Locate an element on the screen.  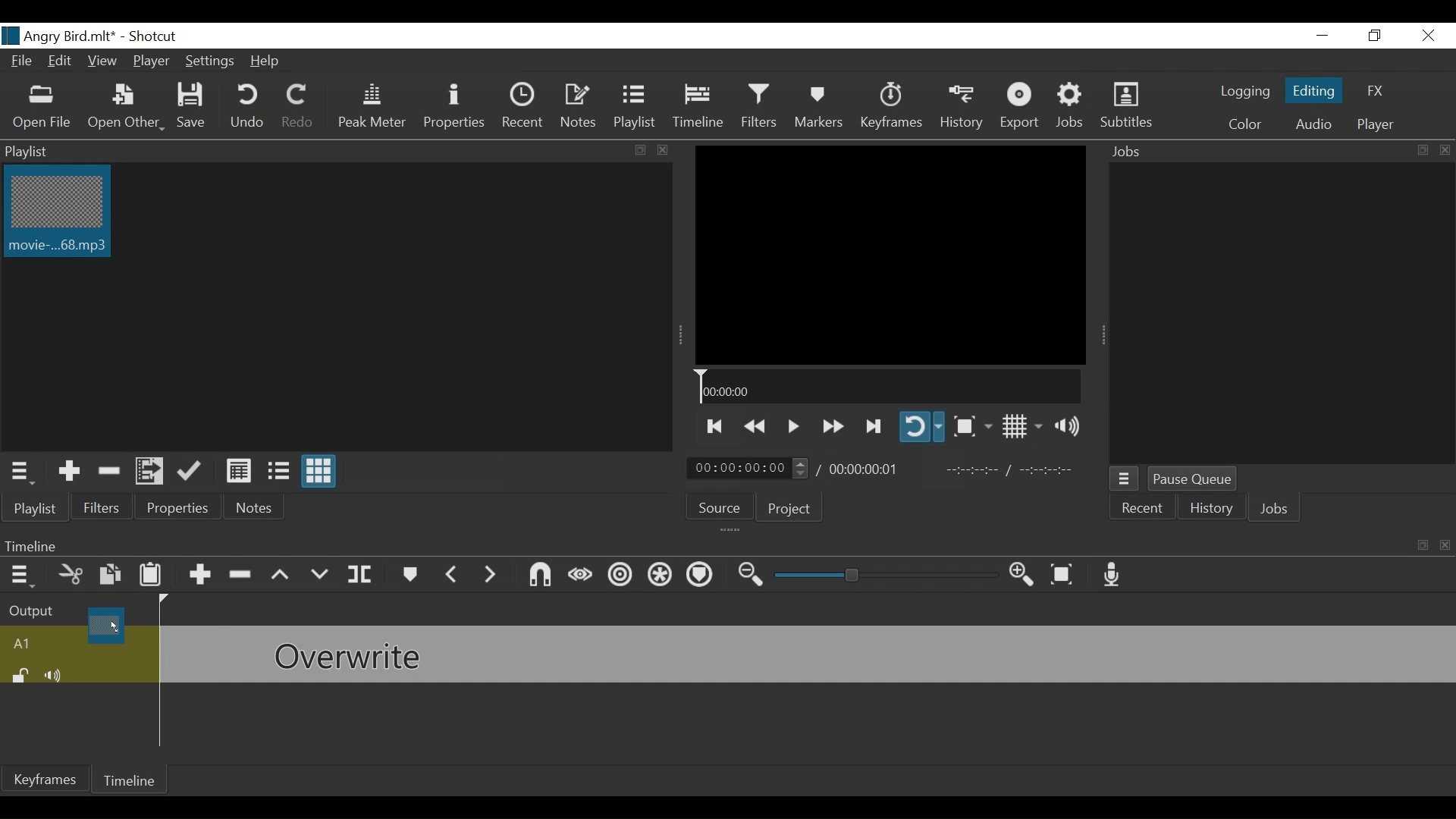
Shotcut is located at coordinates (154, 37).